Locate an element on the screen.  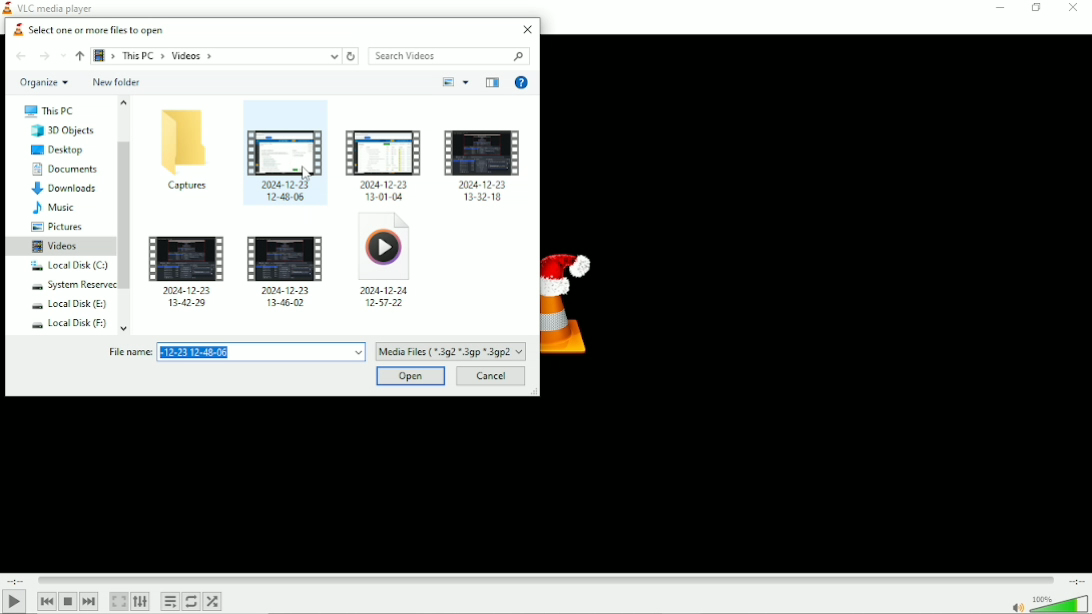
Up to ''This PC'' is located at coordinates (80, 55).